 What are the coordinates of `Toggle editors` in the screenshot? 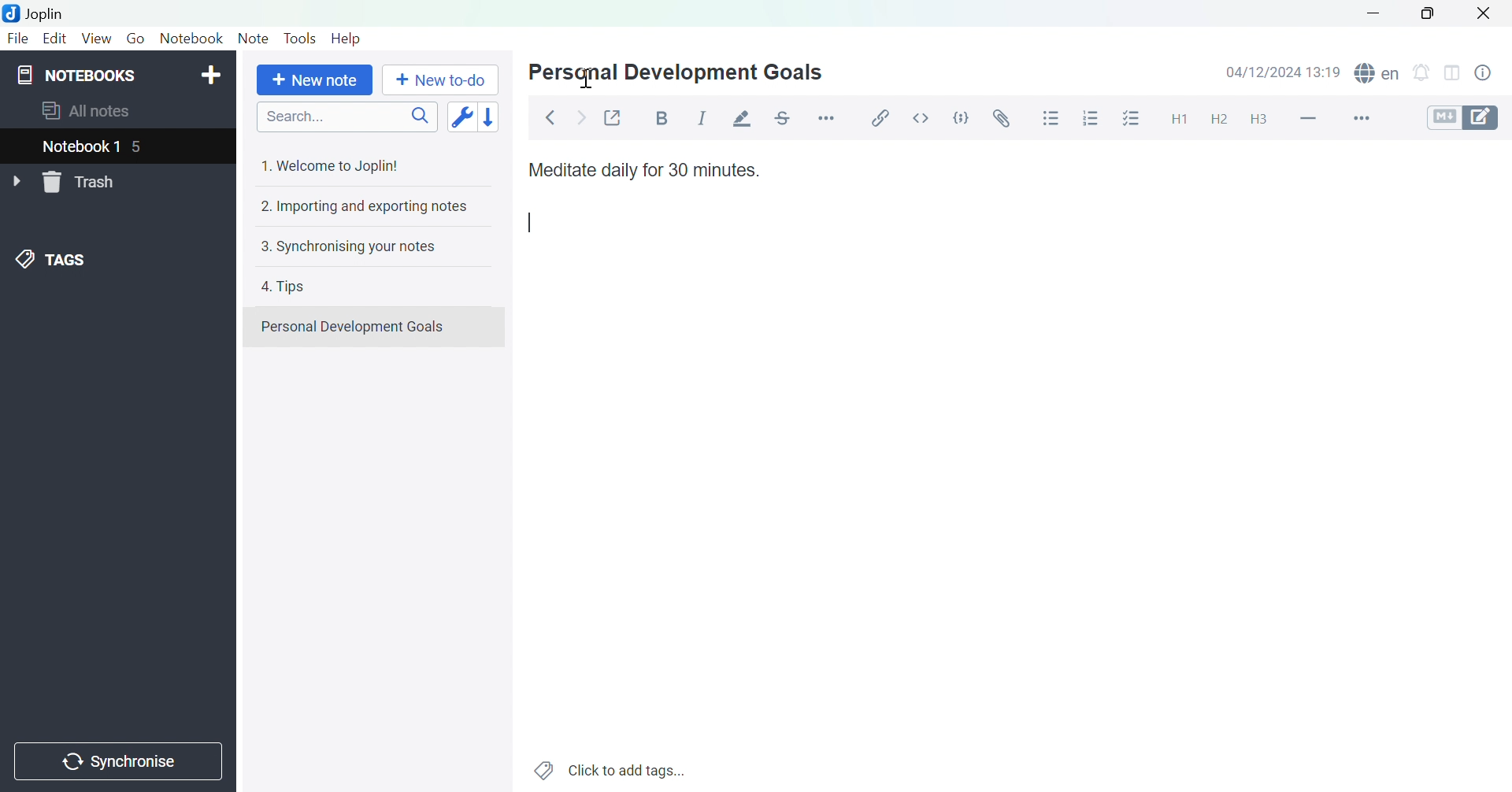 It's located at (1464, 120).